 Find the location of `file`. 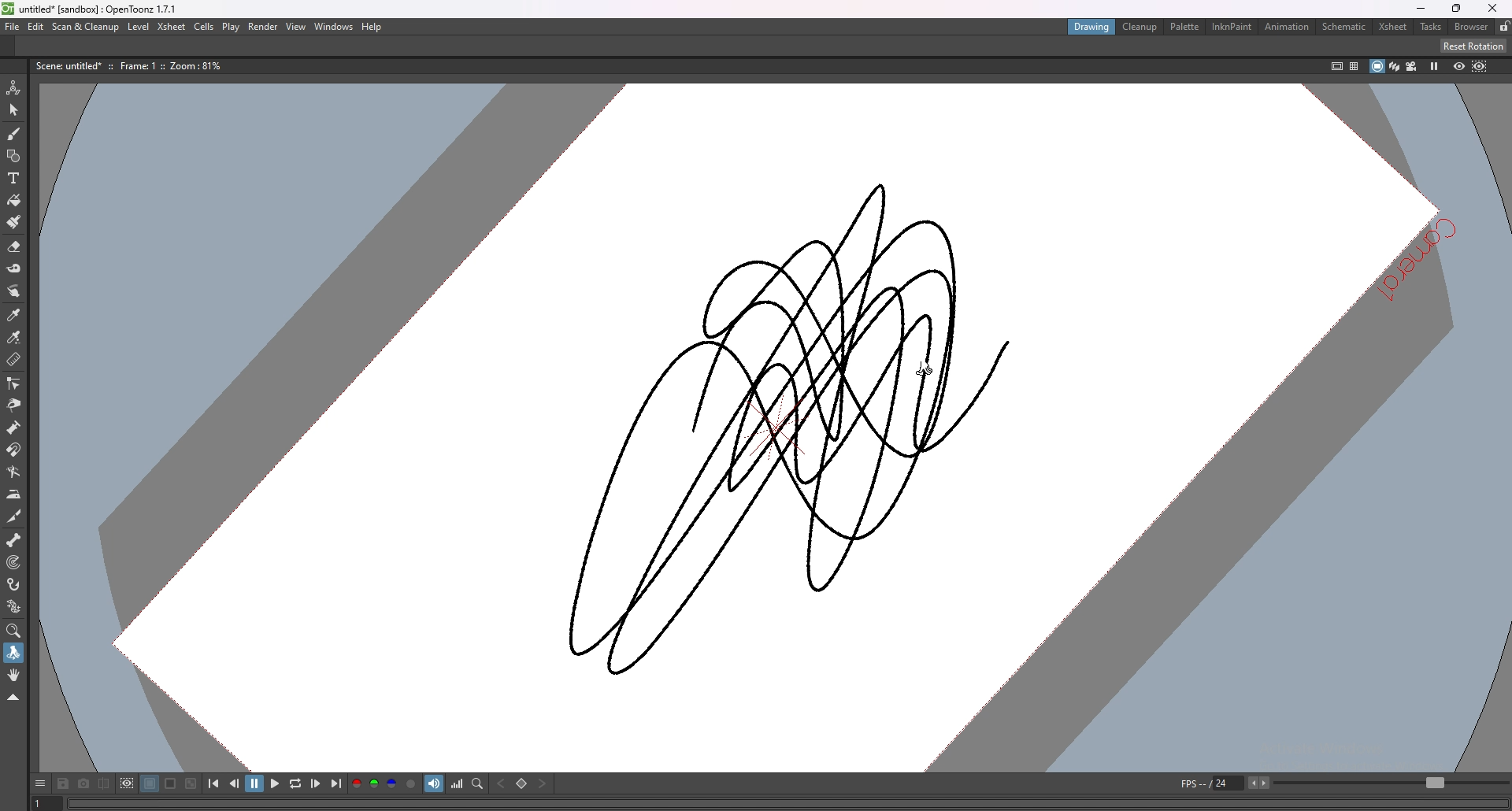

file is located at coordinates (12, 27).